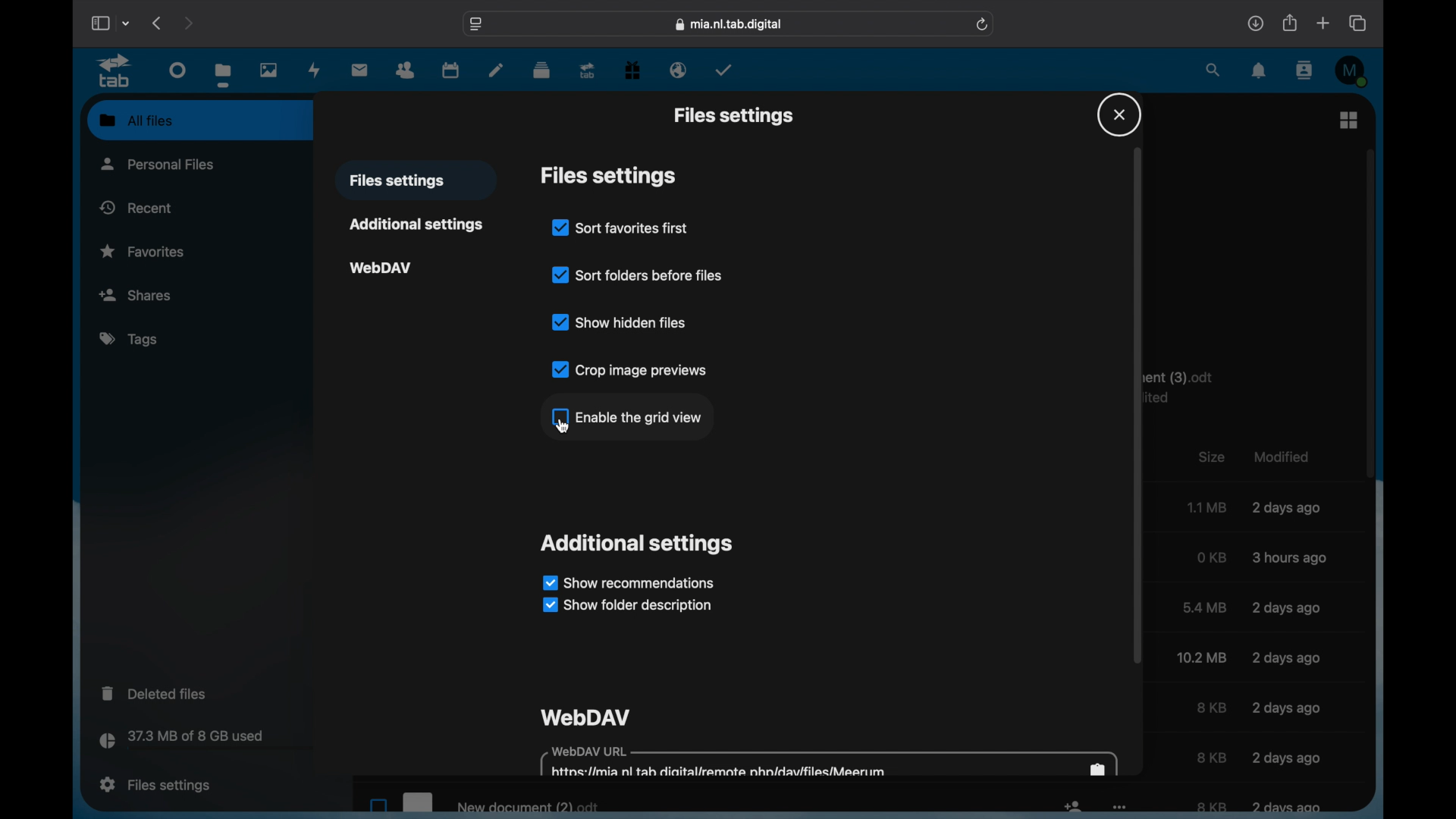 The height and width of the screenshot is (819, 1456). Describe the element at coordinates (480, 800) in the screenshot. I see `new document` at that location.